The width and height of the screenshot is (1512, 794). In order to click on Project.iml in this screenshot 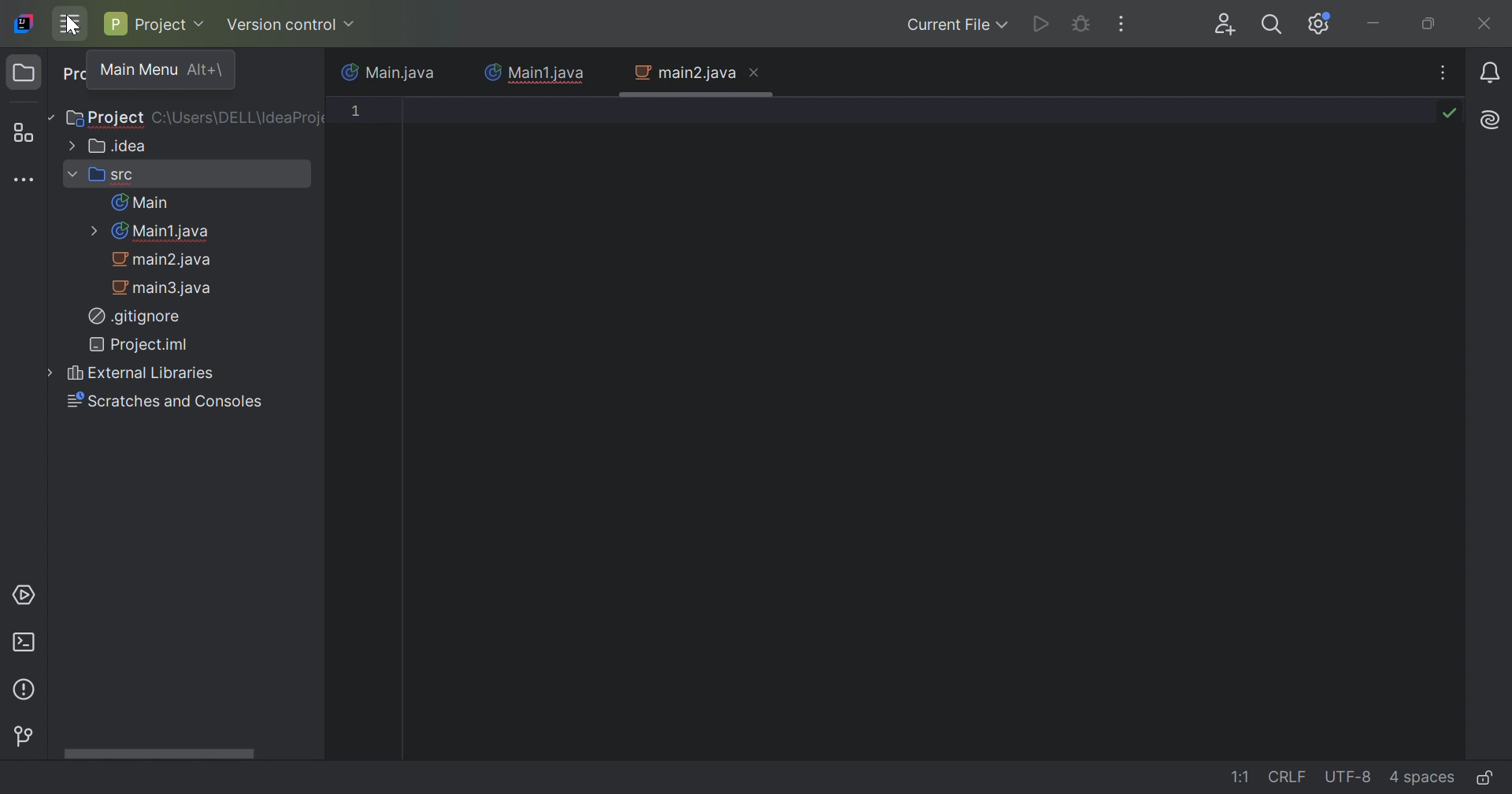, I will do `click(140, 344)`.